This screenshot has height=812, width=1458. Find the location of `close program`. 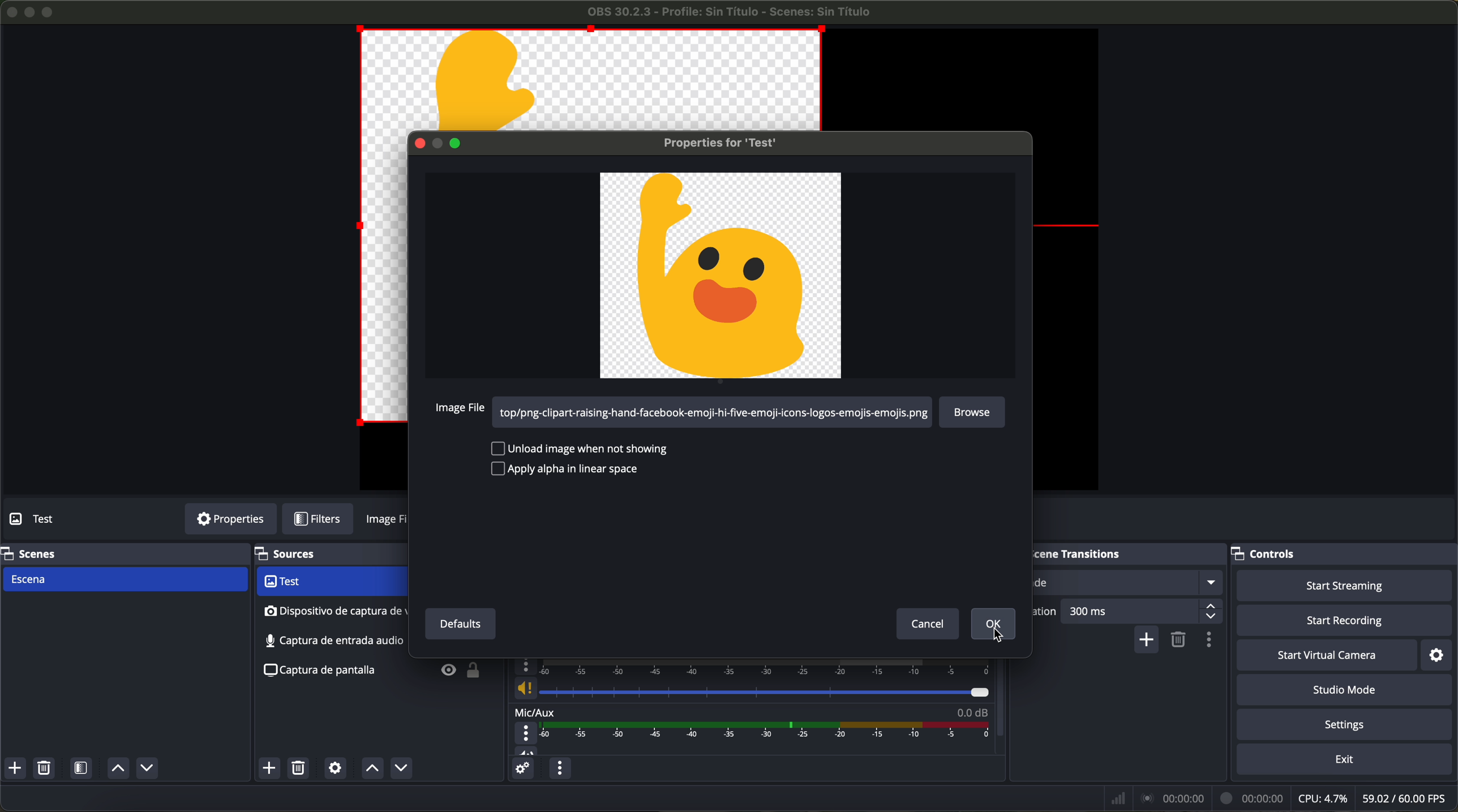

close program is located at coordinates (10, 11).